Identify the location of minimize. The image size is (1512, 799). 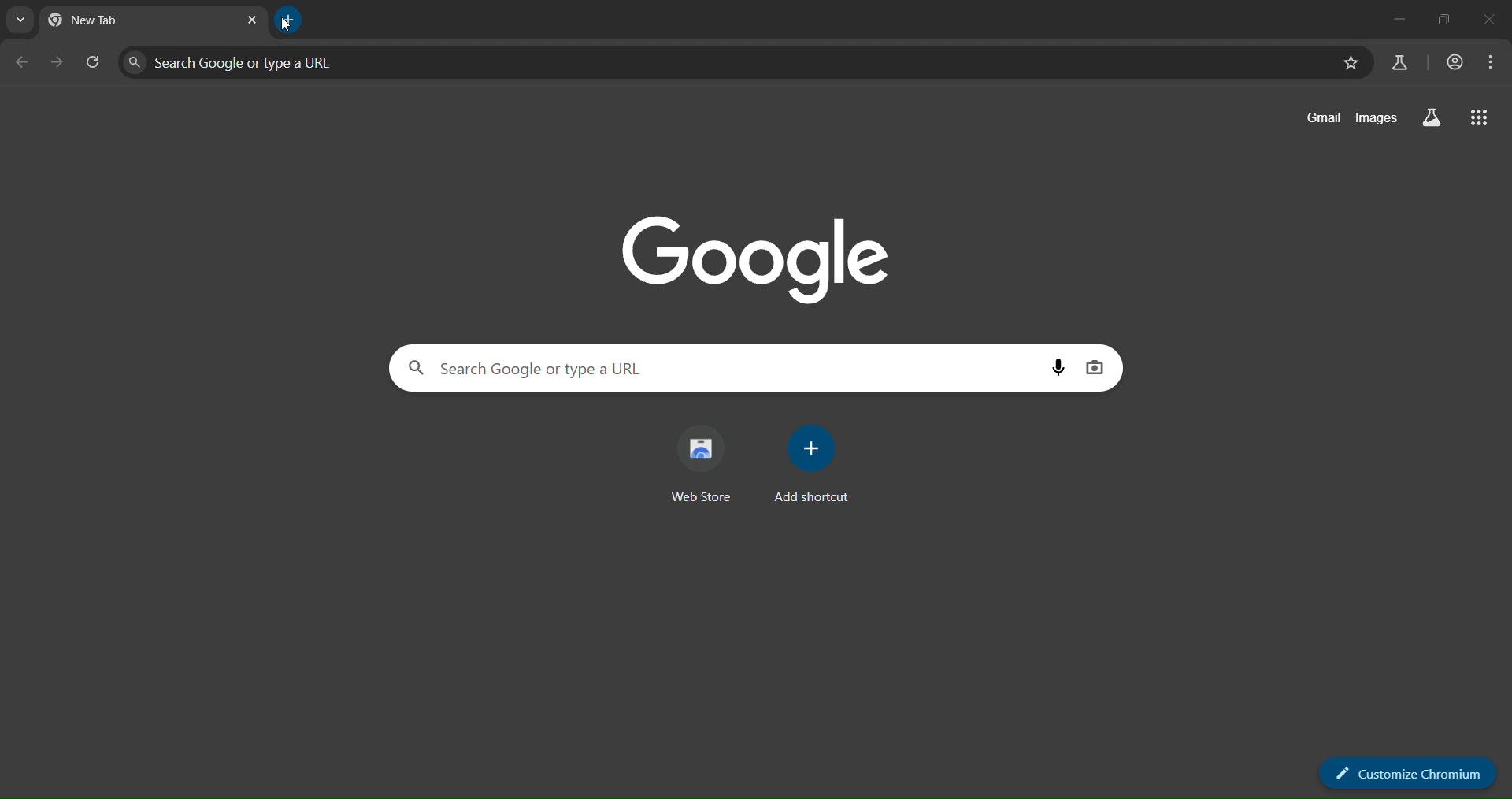
(1399, 21).